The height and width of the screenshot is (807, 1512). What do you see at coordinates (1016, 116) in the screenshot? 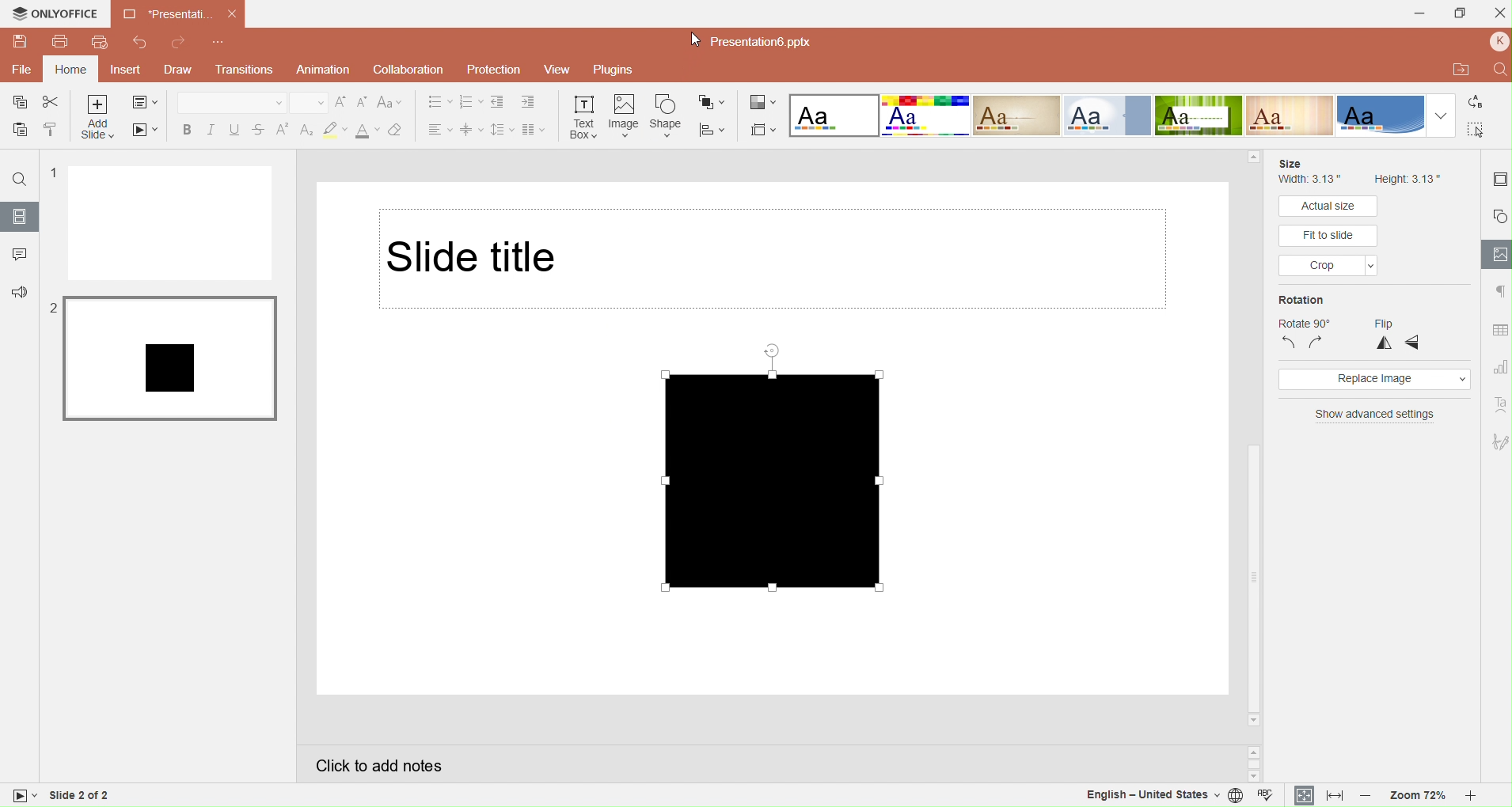
I see `Classic` at bounding box center [1016, 116].